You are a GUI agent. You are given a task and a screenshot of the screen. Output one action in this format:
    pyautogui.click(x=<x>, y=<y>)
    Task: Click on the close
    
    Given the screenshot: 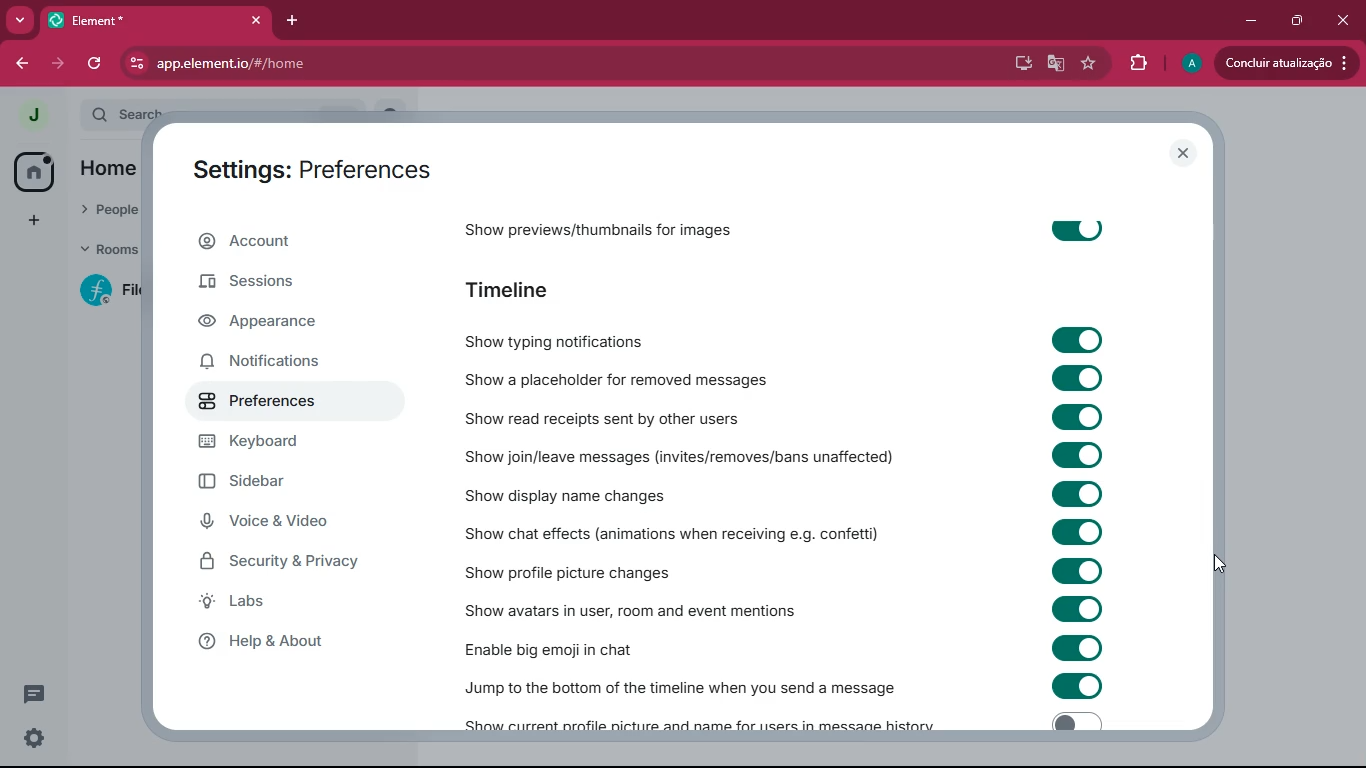 What is the action you would take?
    pyautogui.click(x=1343, y=21)
    